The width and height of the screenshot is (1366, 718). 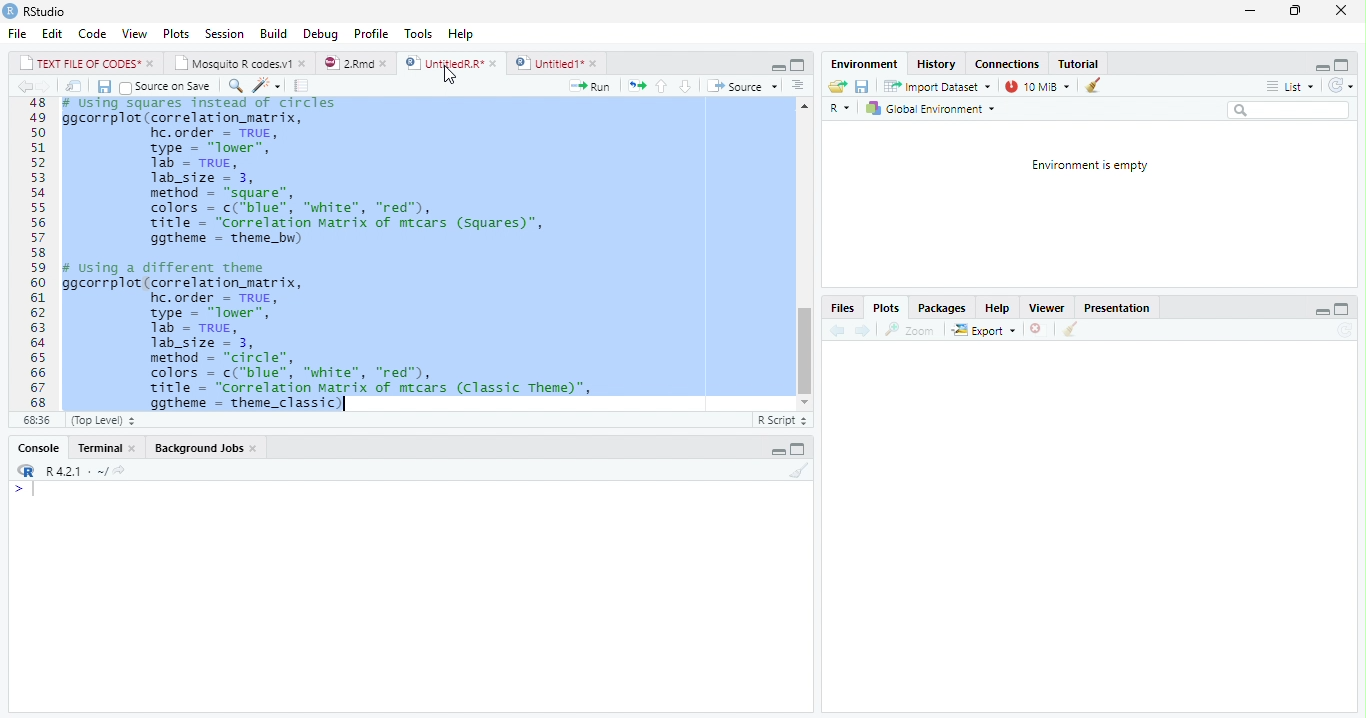 I want to click on go back, so click(x=835, y=332).